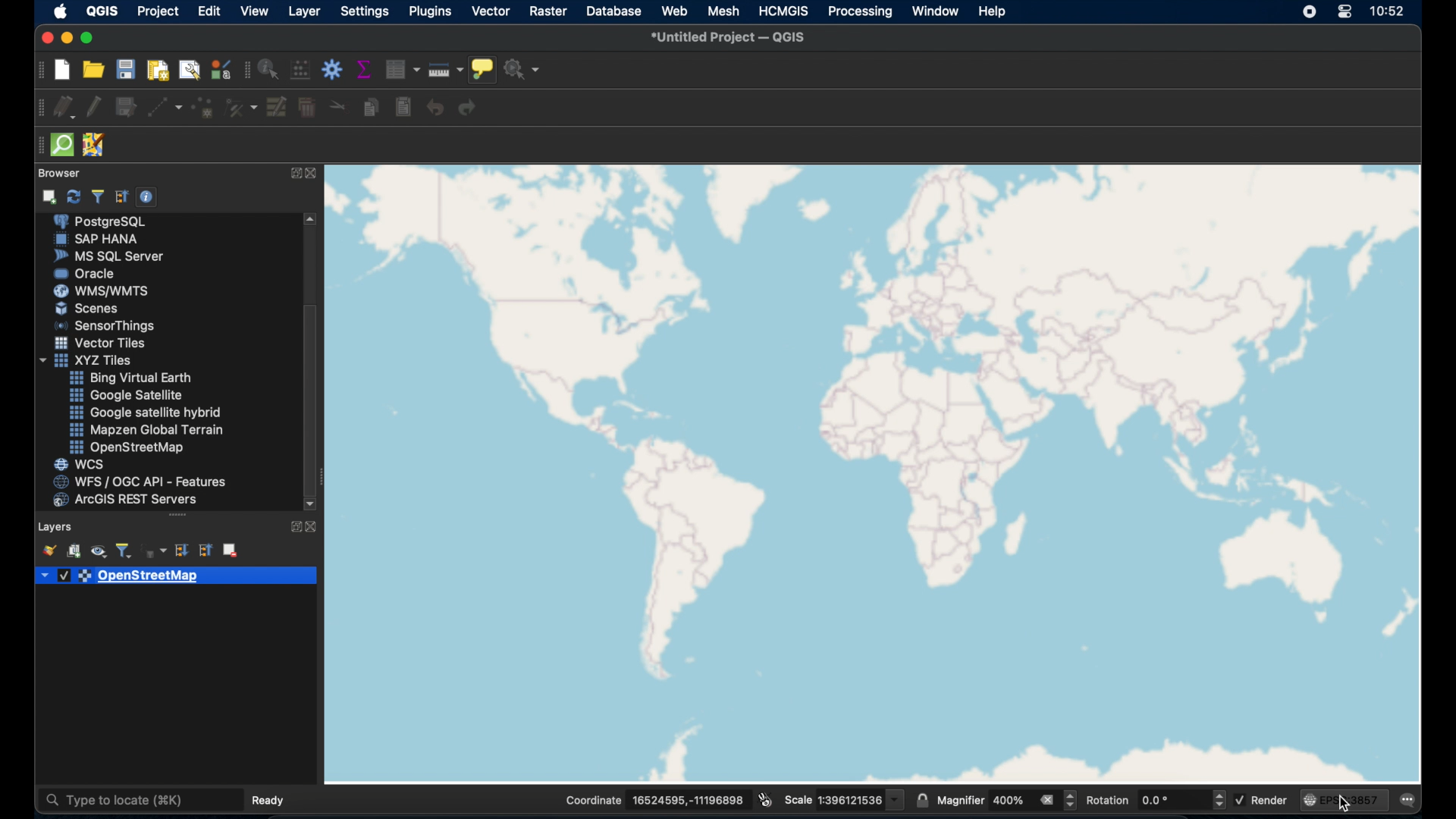 The image size is (1456, 819). I want to click on QGIS, so click(104, 11).